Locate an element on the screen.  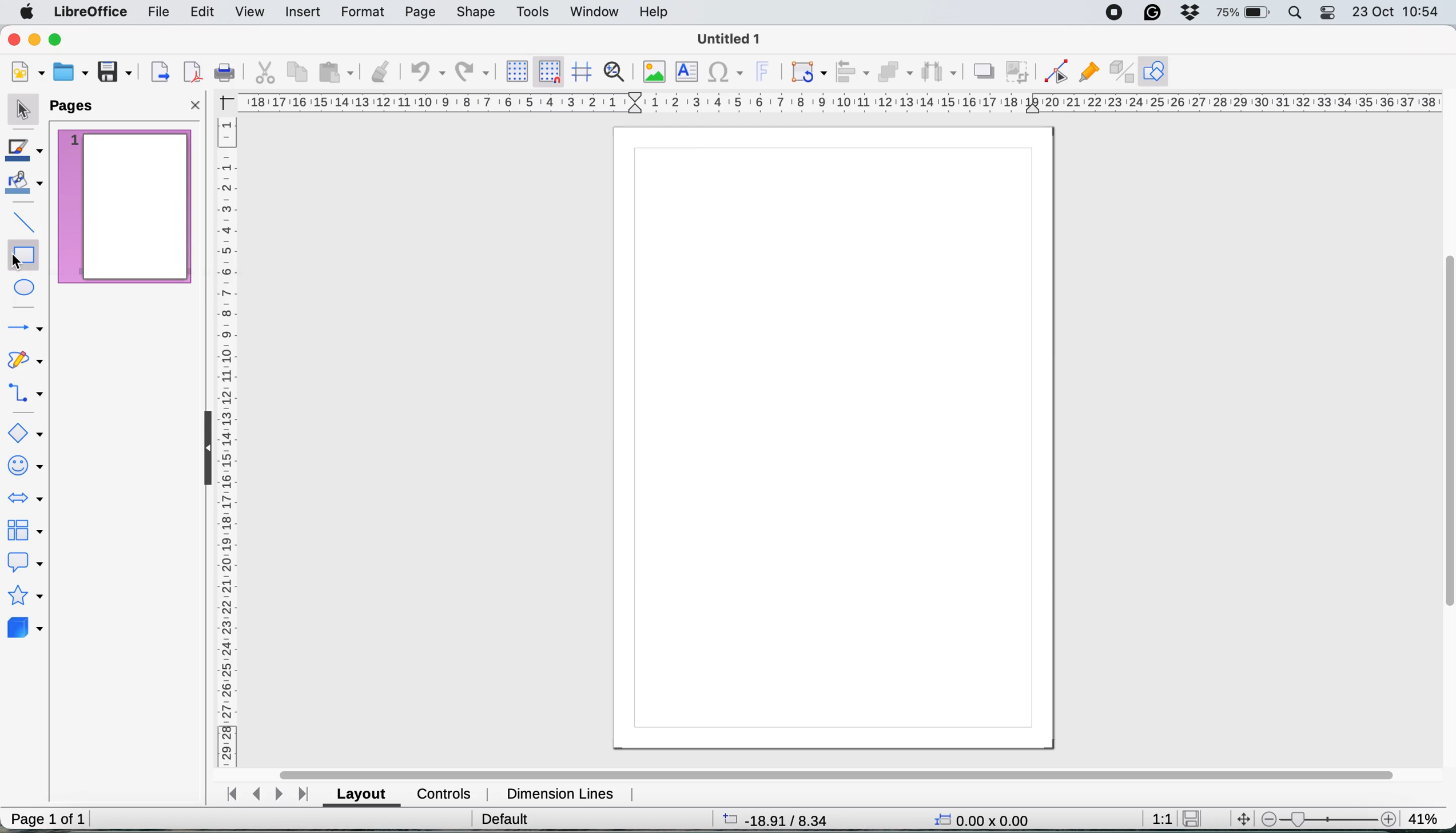
save is located at coordinates (1196, 818).